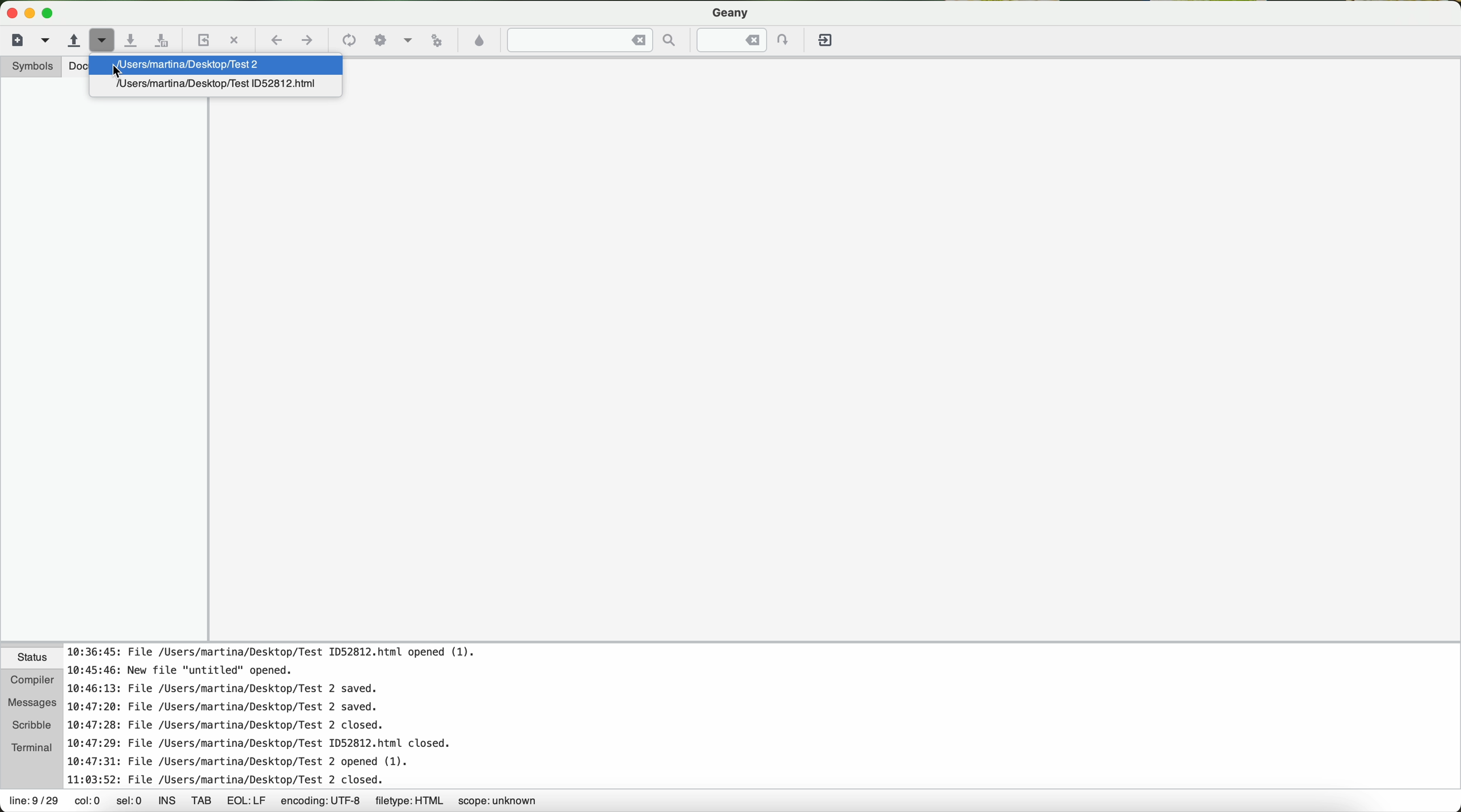  I want to click on icon, so click(347, 41).